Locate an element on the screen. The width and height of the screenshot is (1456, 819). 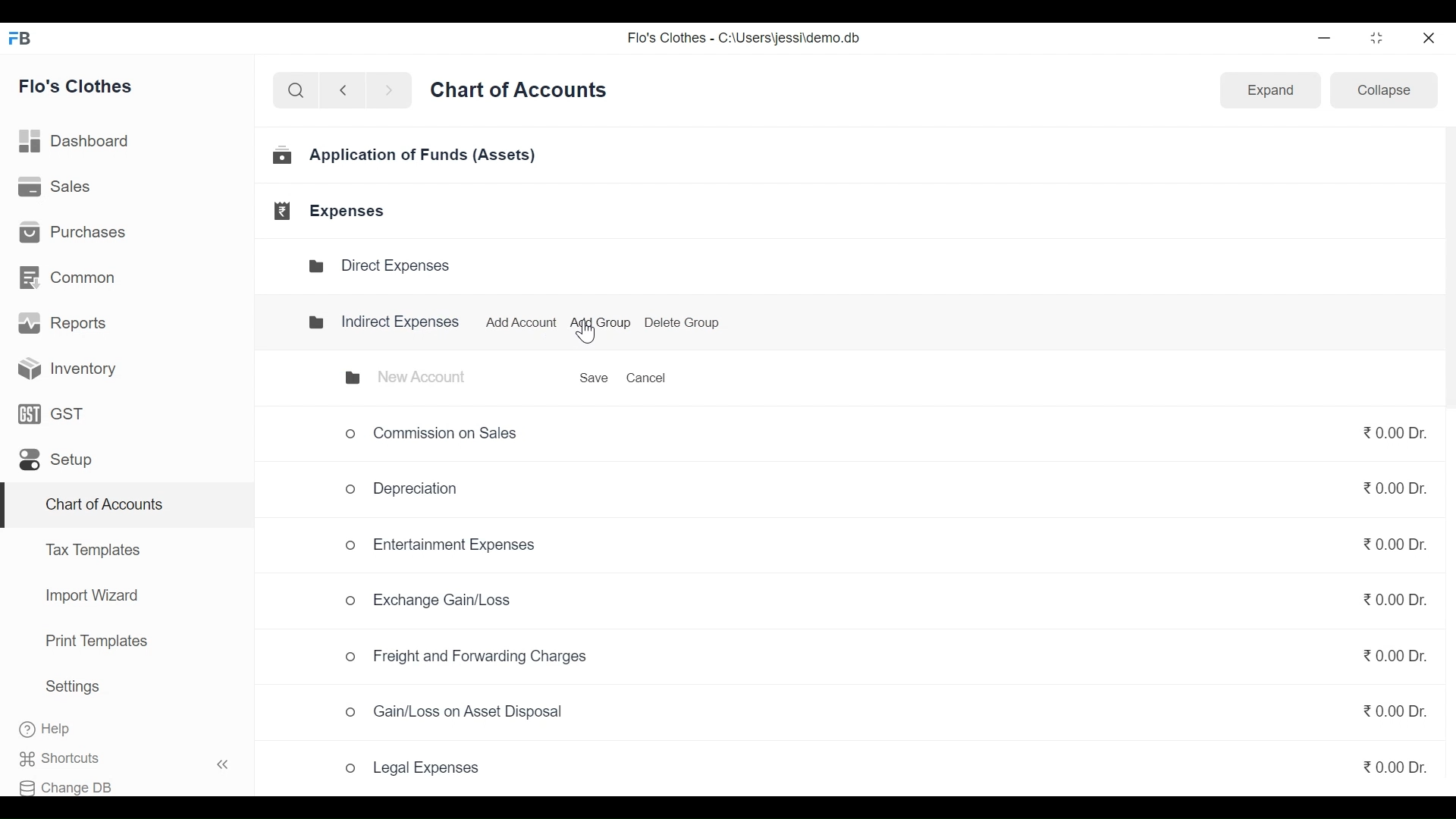
Add Group is located at coordinates (598, 323).